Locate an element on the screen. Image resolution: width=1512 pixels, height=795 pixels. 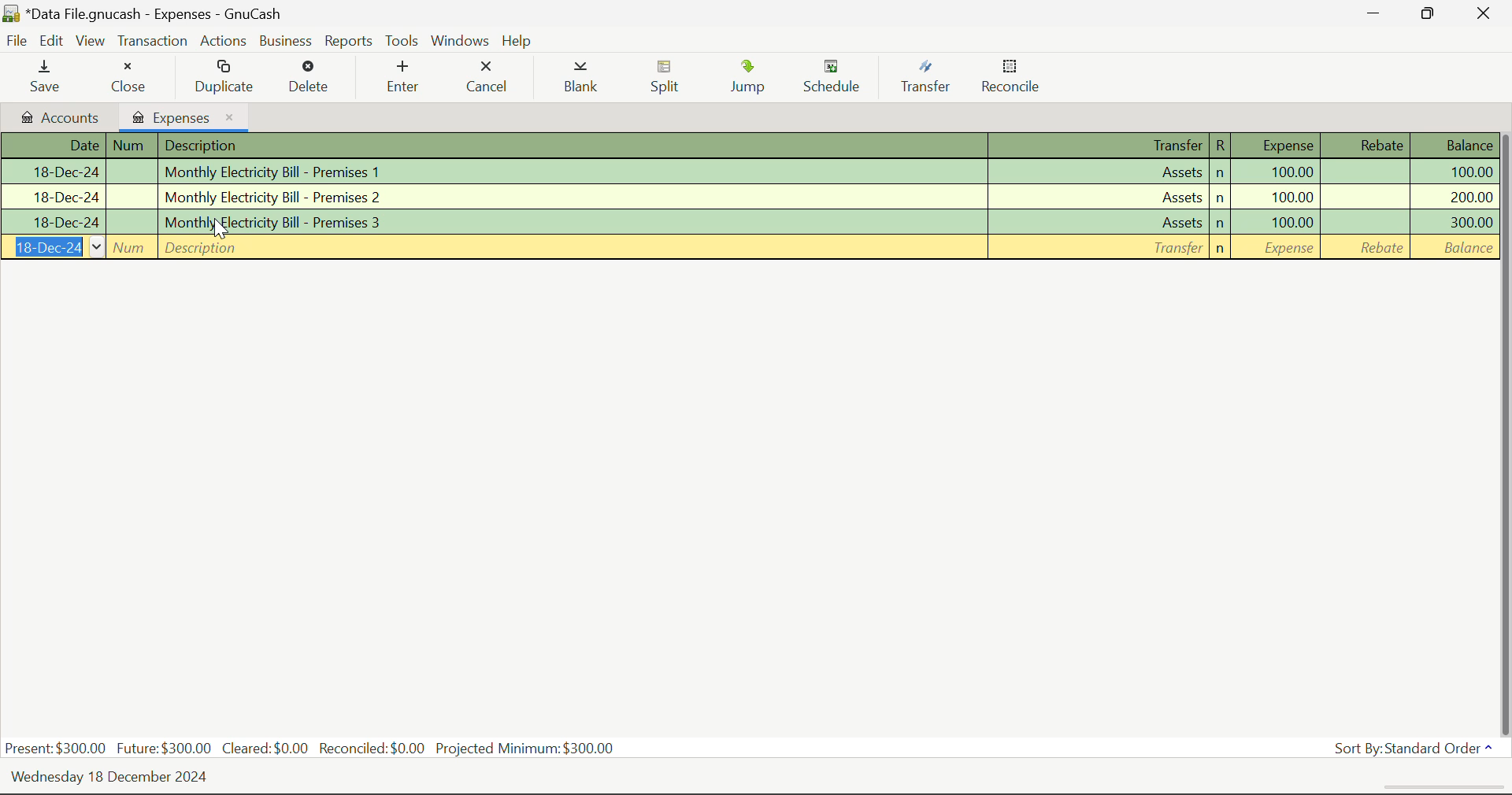
Restore Down is located at coordinates (1376, 17).